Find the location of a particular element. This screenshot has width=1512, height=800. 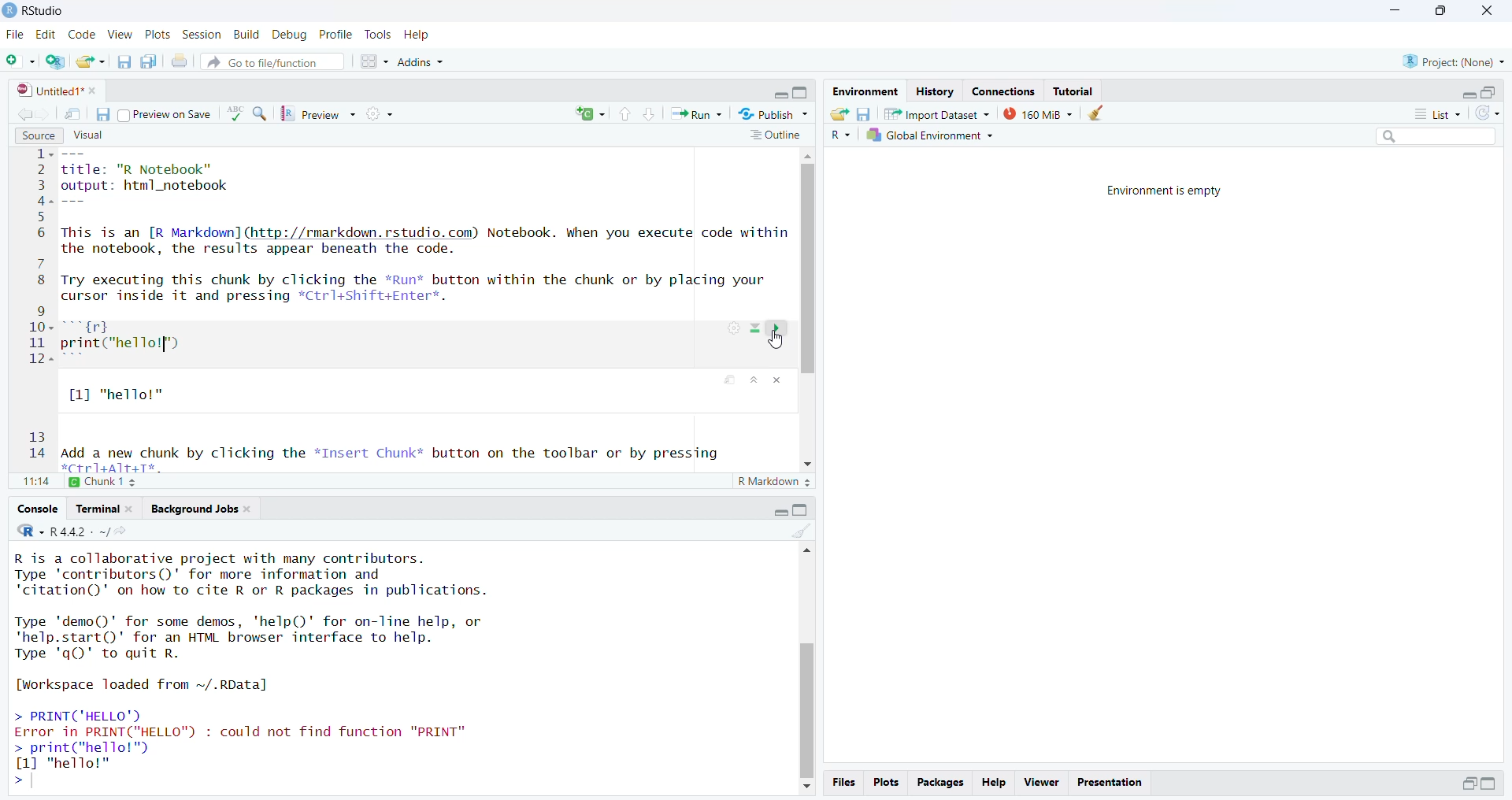

line numbers is located at coordinates (42, 309).